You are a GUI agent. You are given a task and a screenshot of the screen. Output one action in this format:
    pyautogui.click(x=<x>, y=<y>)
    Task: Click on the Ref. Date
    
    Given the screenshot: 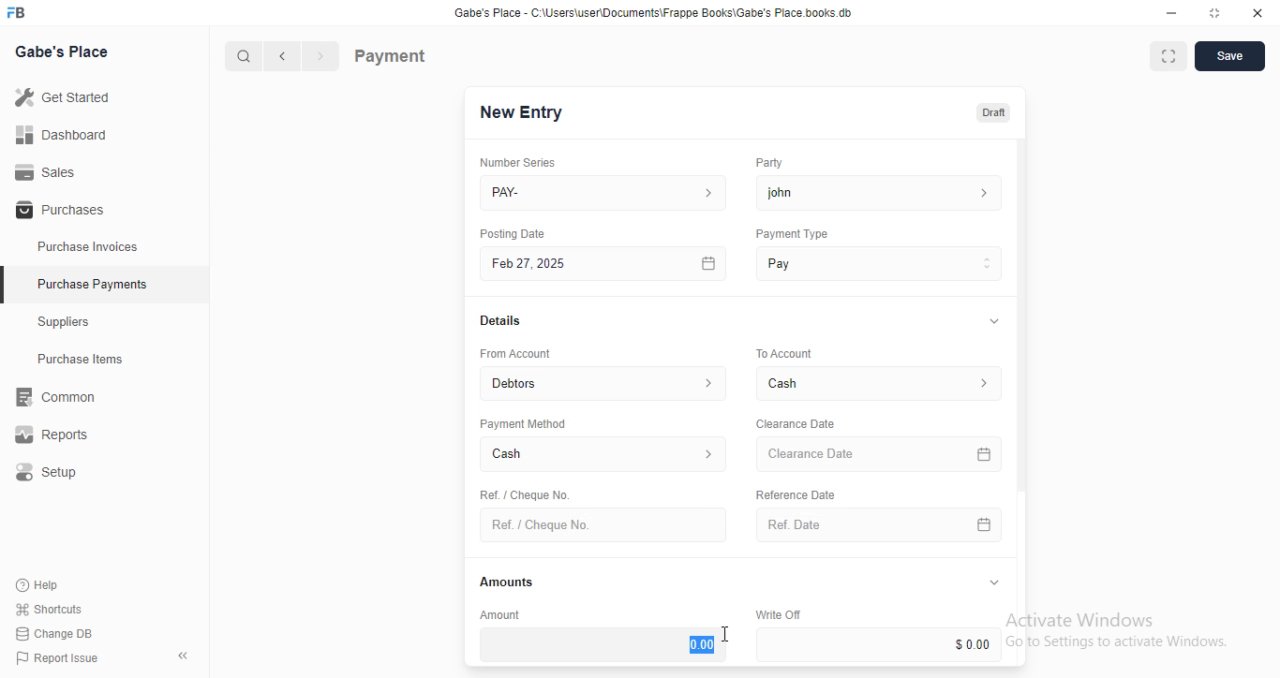 What is the action you would take?
    pyautogui.click(x=879, y=525)
    